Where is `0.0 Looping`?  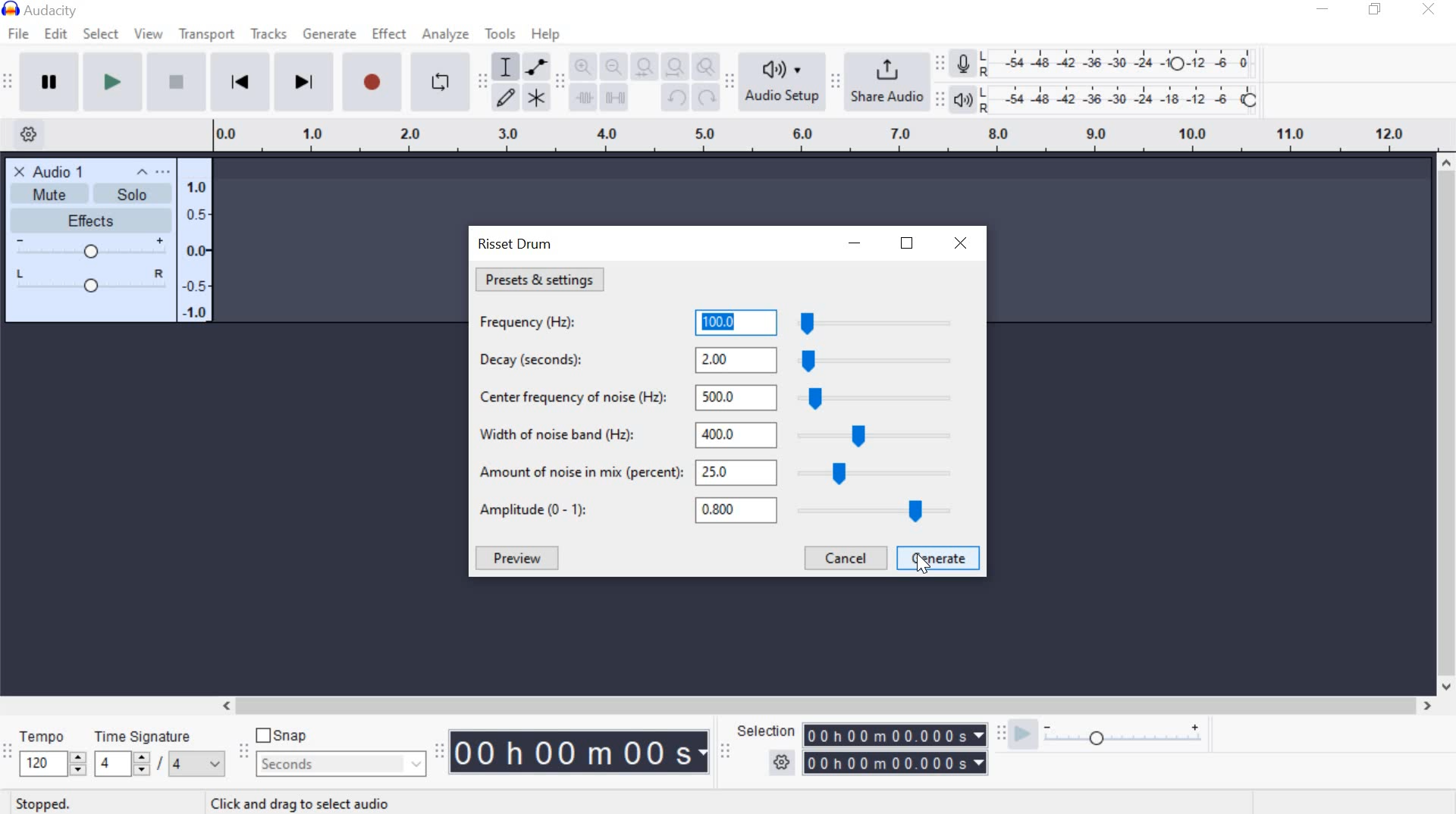 0.0 Looping is located at coordinates (199, 251).